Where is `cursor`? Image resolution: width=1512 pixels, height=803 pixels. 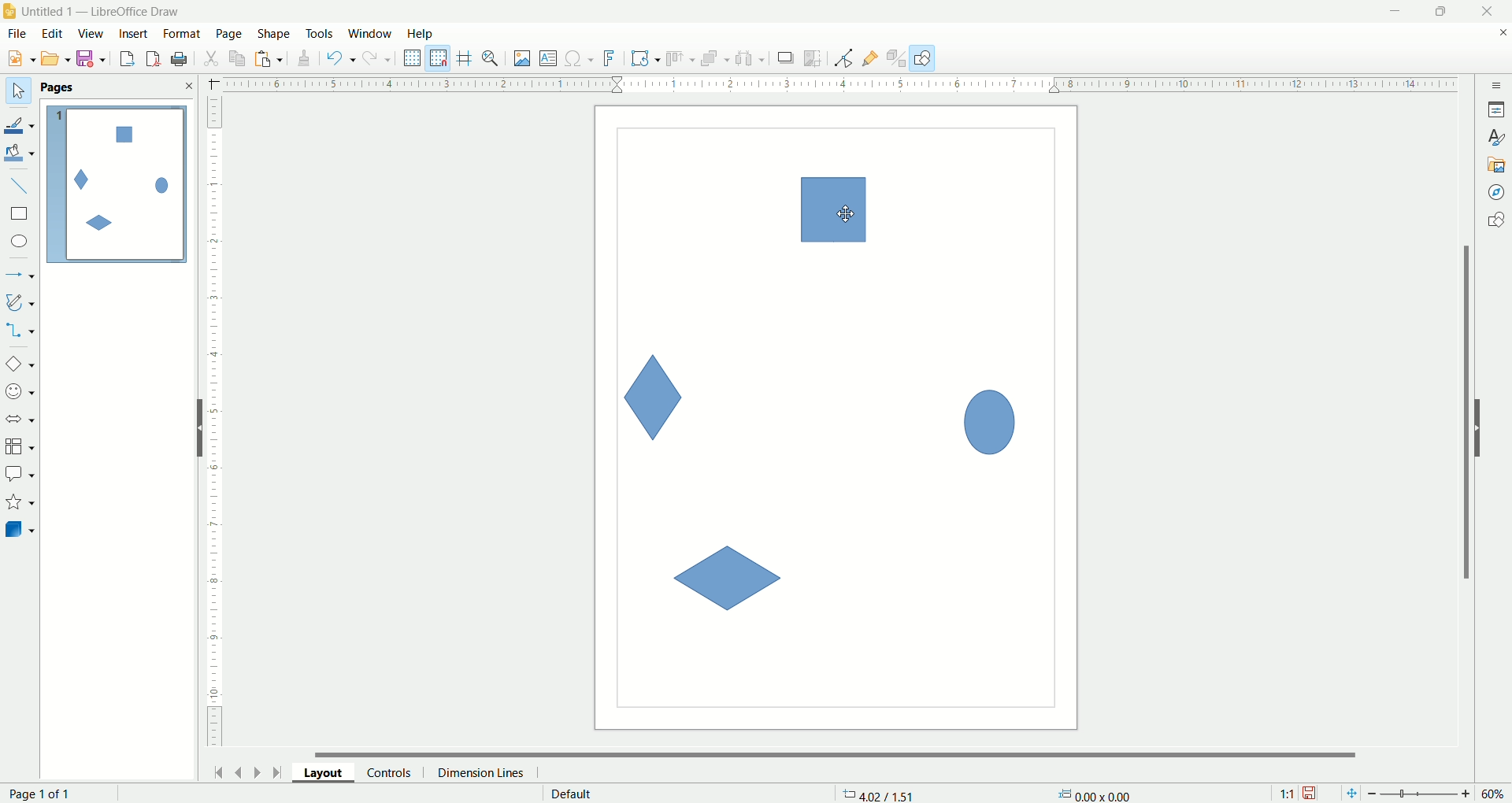 cursor is located at coordinates (847, 214).